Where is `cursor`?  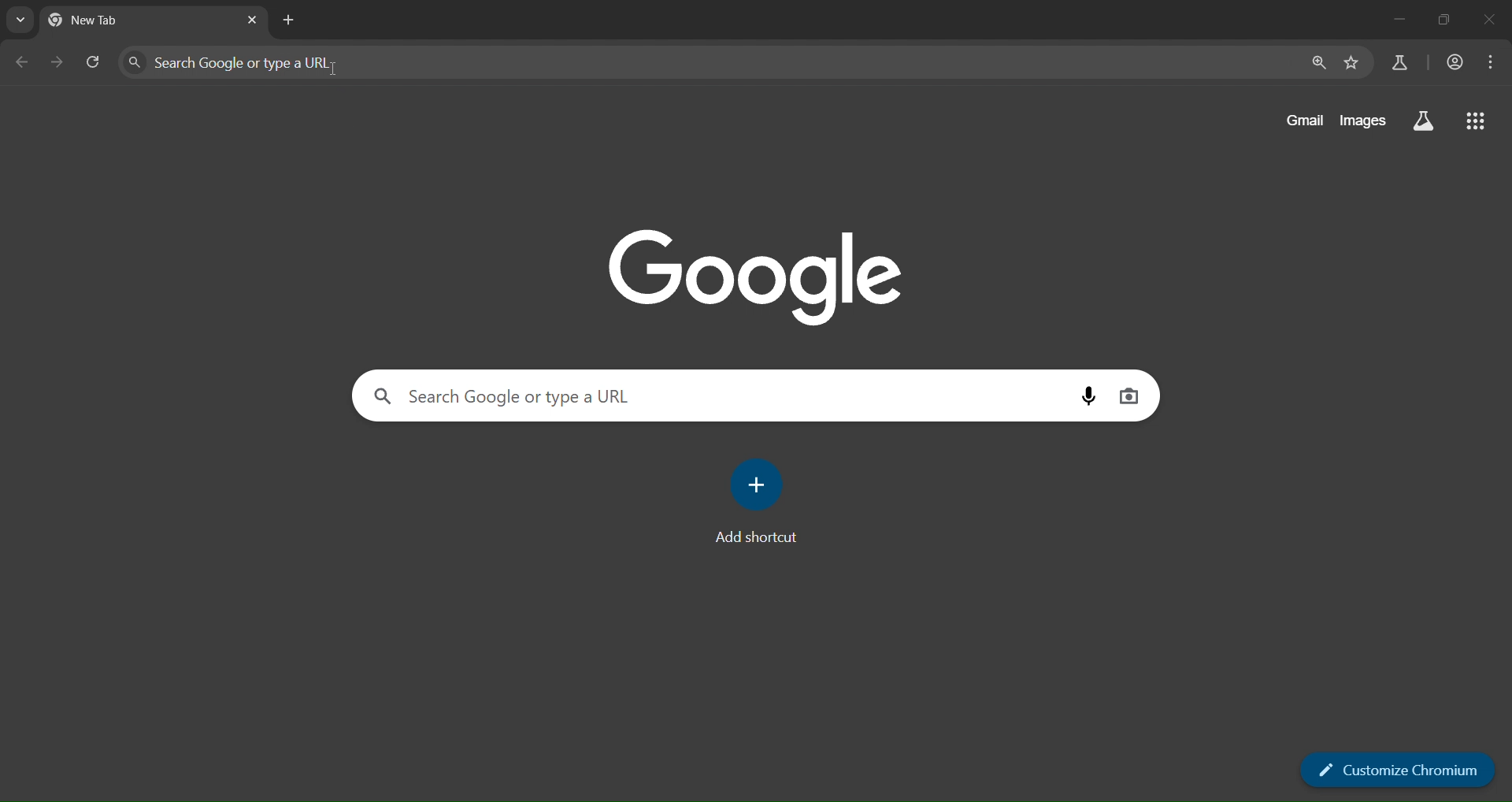
cursor is located at coordinates (335, 70).